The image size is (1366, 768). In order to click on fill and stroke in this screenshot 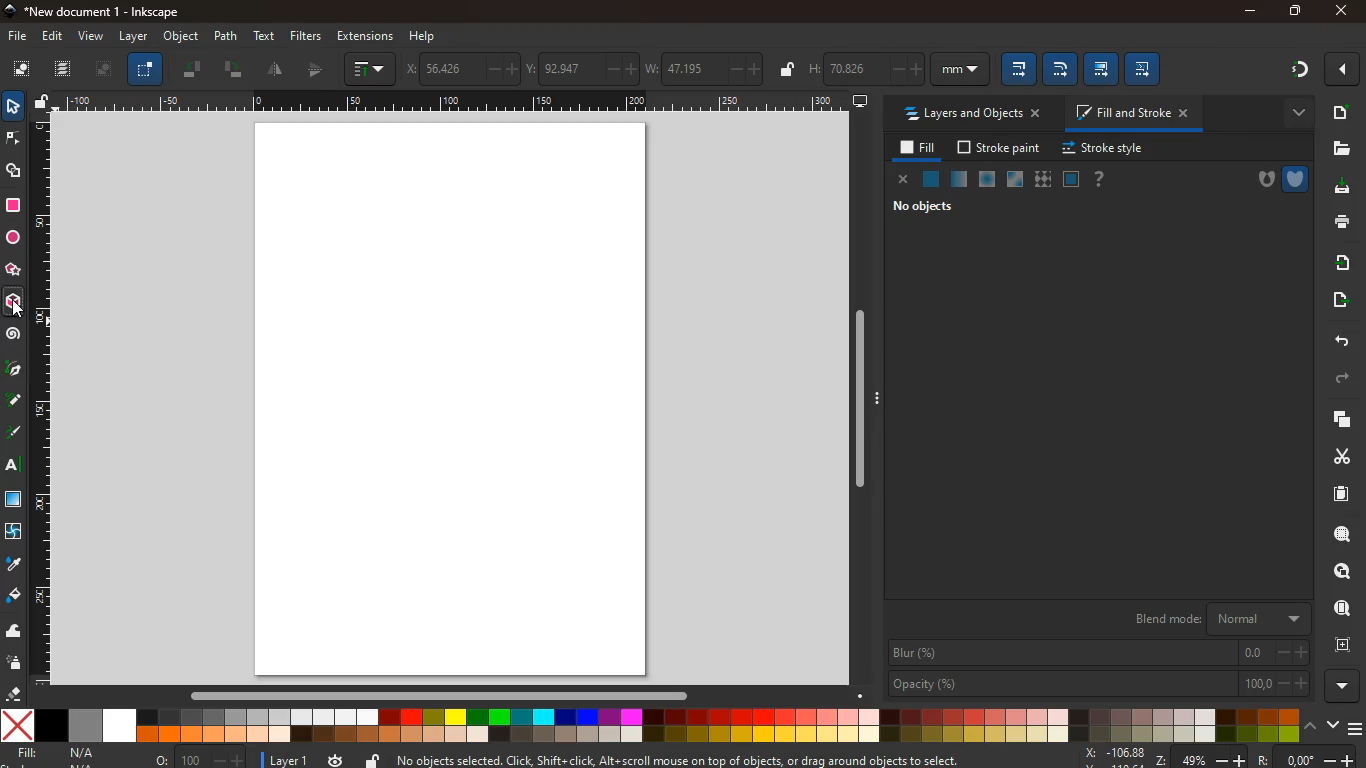, I will do `click(1135, 115)`.